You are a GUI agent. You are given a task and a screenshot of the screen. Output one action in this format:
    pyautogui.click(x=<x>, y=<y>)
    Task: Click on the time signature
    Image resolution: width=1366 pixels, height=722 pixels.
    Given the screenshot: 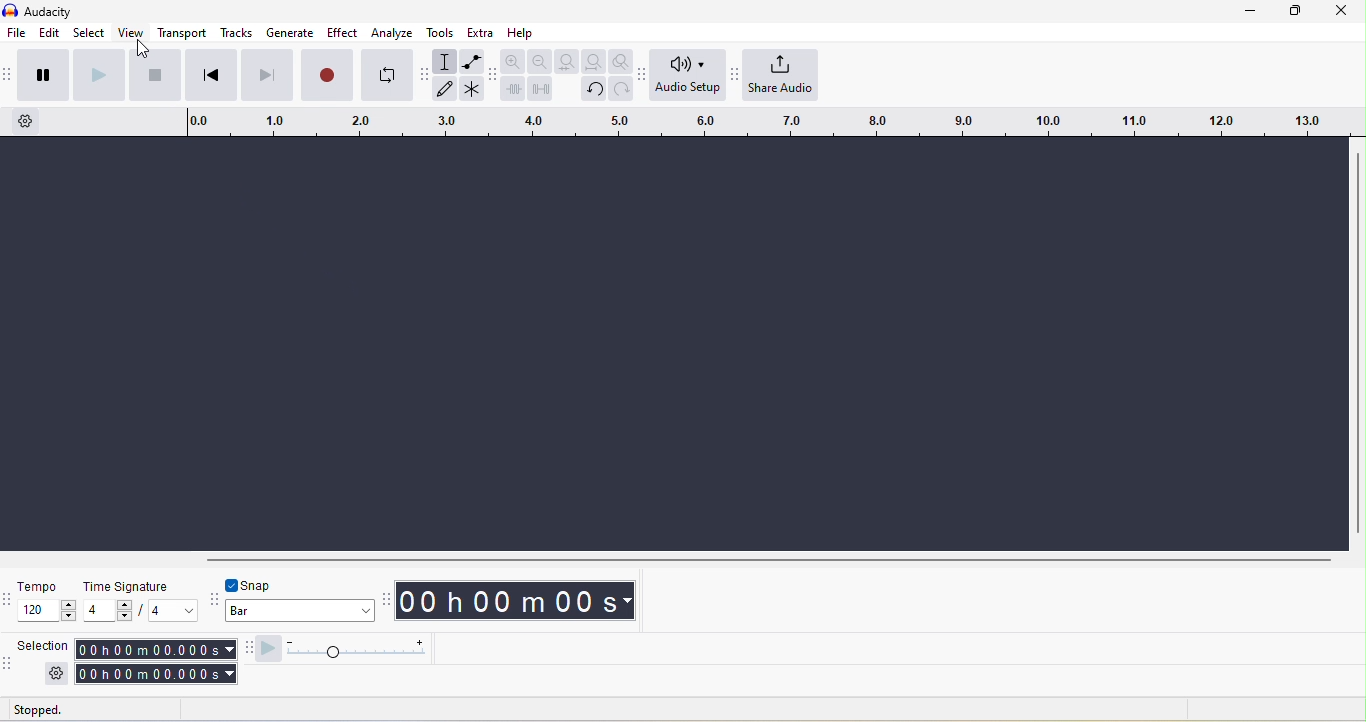 What is the action you would take?
    pyautogui.click(x=128, y=587)
    